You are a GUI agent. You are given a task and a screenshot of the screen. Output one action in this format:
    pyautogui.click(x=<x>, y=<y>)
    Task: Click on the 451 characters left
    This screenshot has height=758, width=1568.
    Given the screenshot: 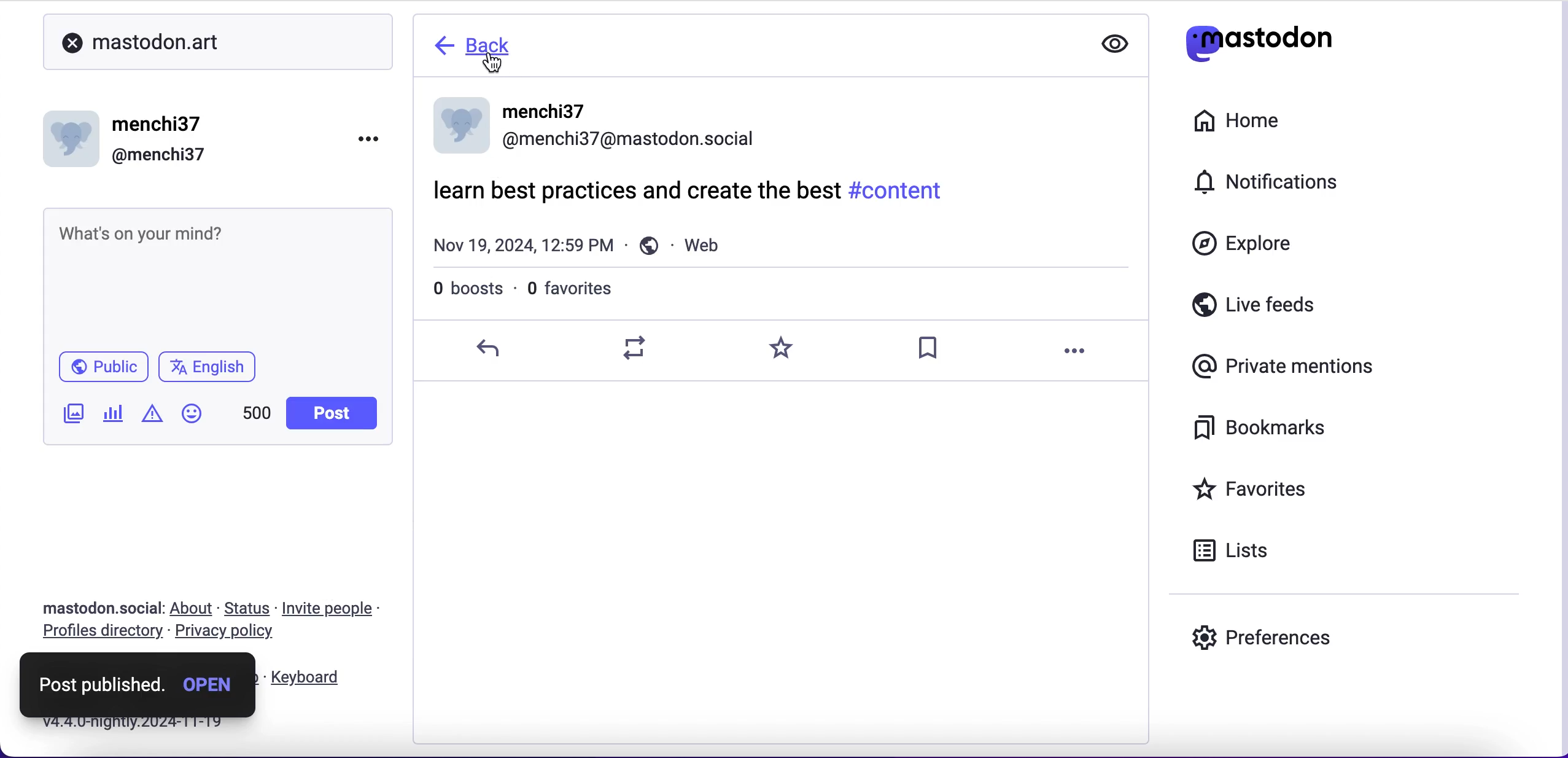 What is the action you would take?
    pyautogui.click(x=257, y=417)
    